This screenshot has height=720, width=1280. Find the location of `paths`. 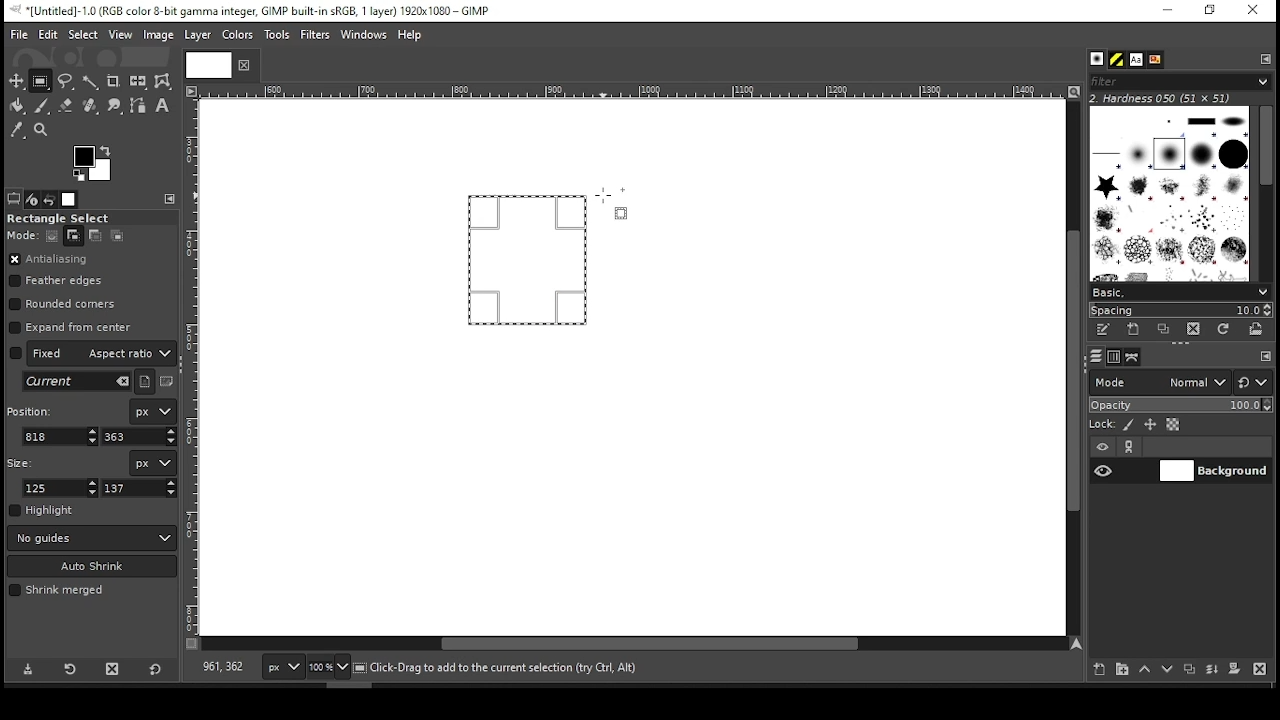

paths is located at coordinates (1135, 356).